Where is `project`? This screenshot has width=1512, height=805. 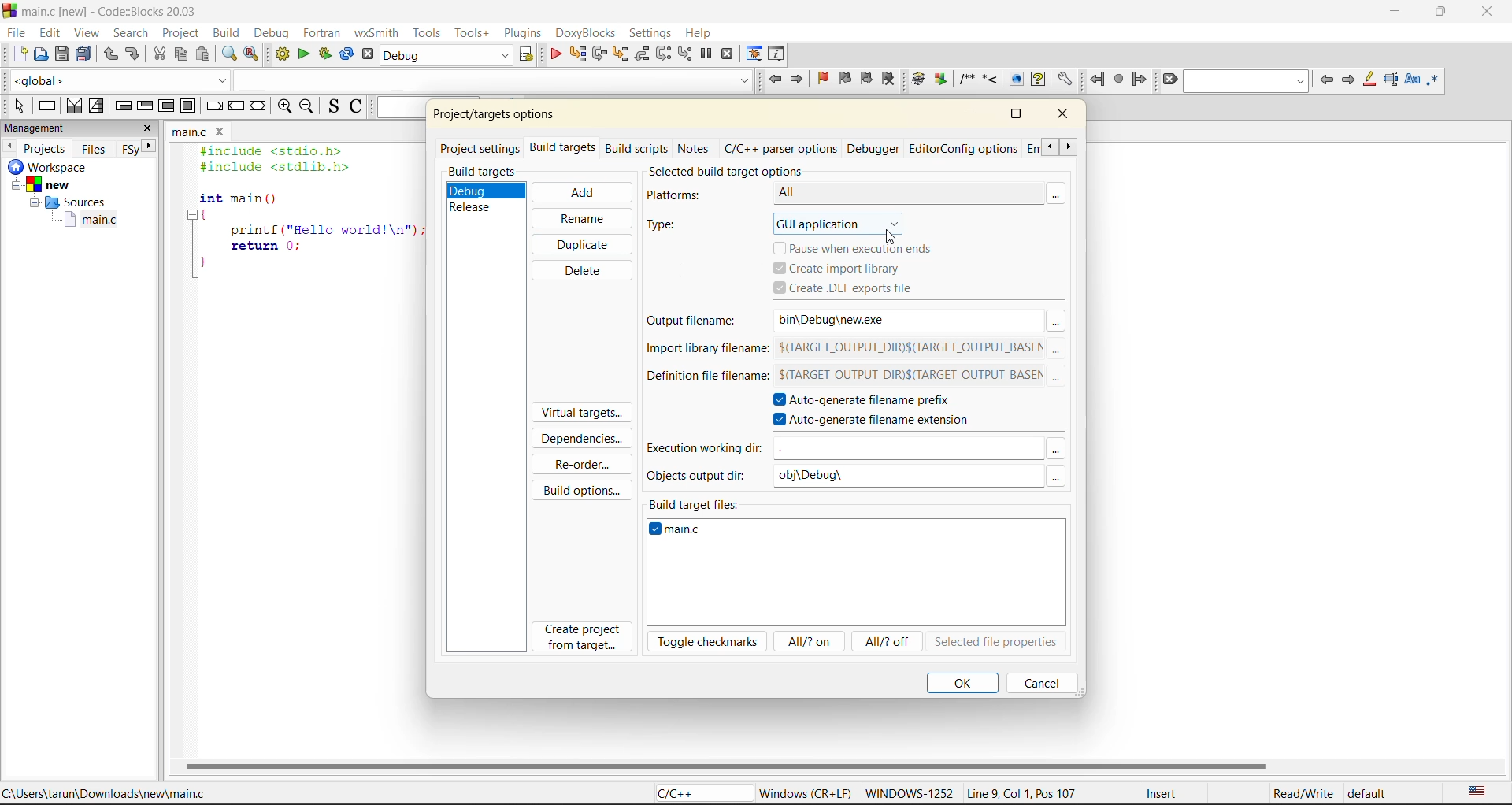
project is located at coordinates (180, 34).